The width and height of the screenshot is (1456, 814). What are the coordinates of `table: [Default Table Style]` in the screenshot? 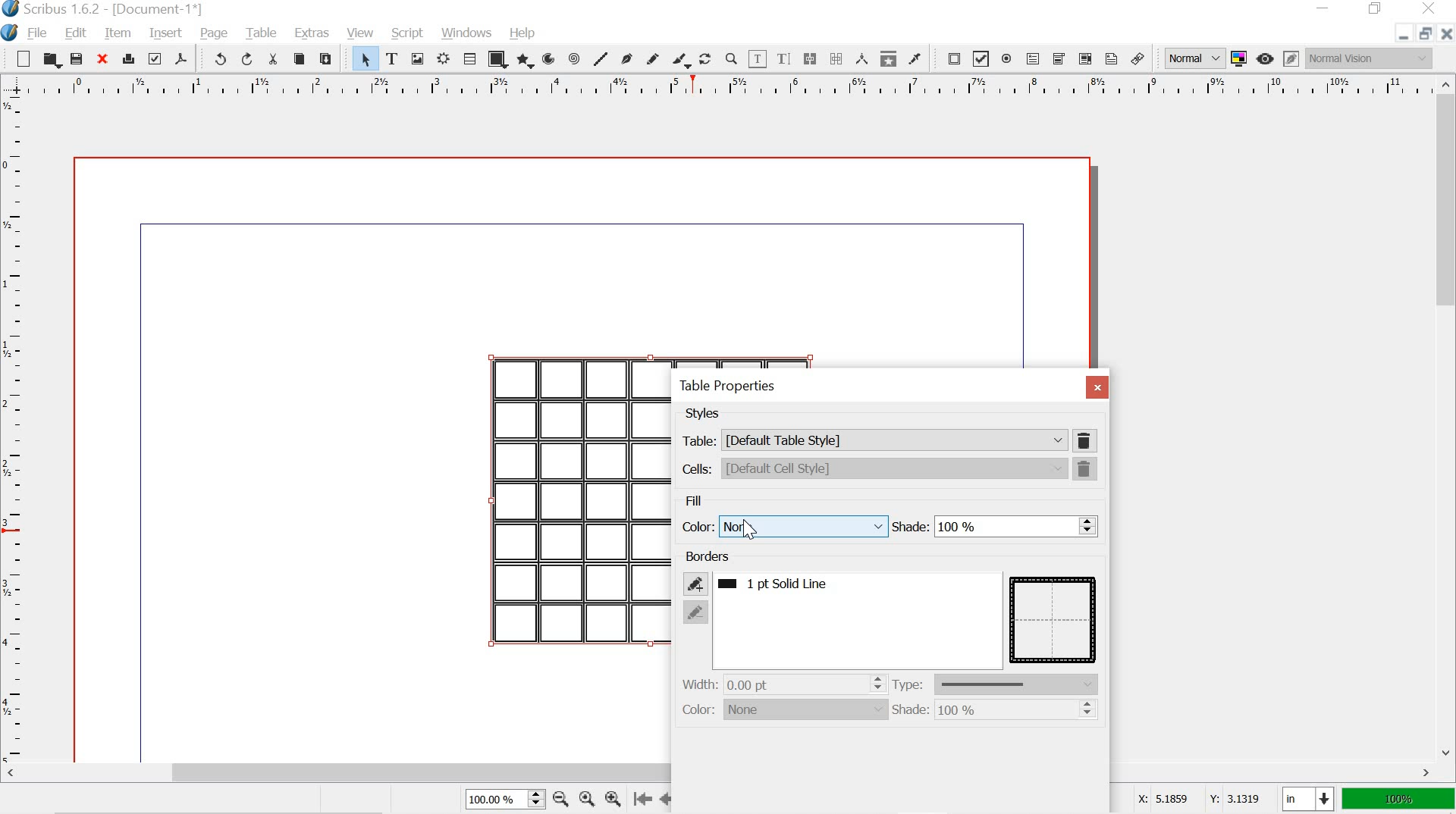 It's located at (873, 440).